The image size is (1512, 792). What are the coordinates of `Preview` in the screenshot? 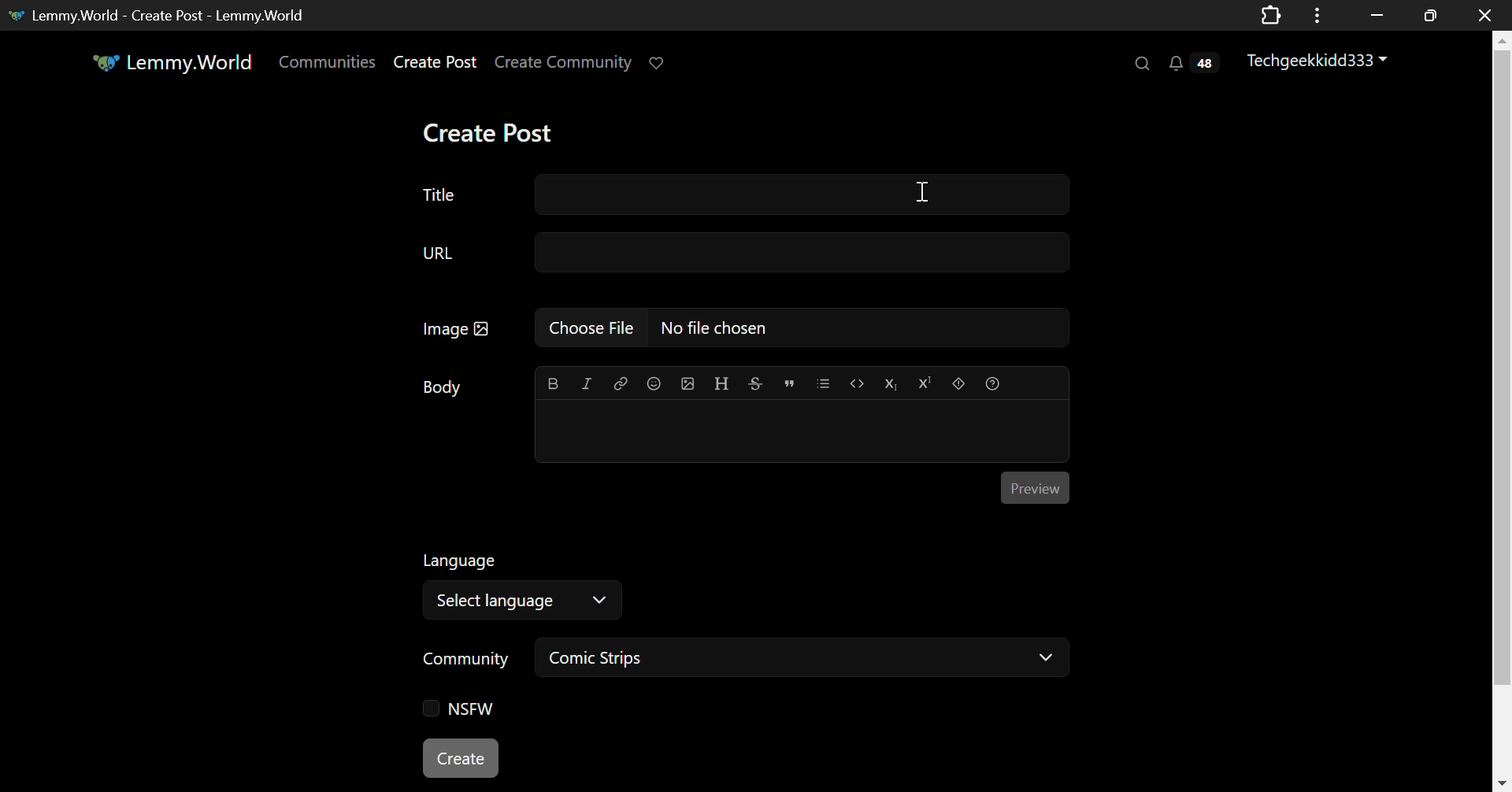 It's located at (1036, 487).